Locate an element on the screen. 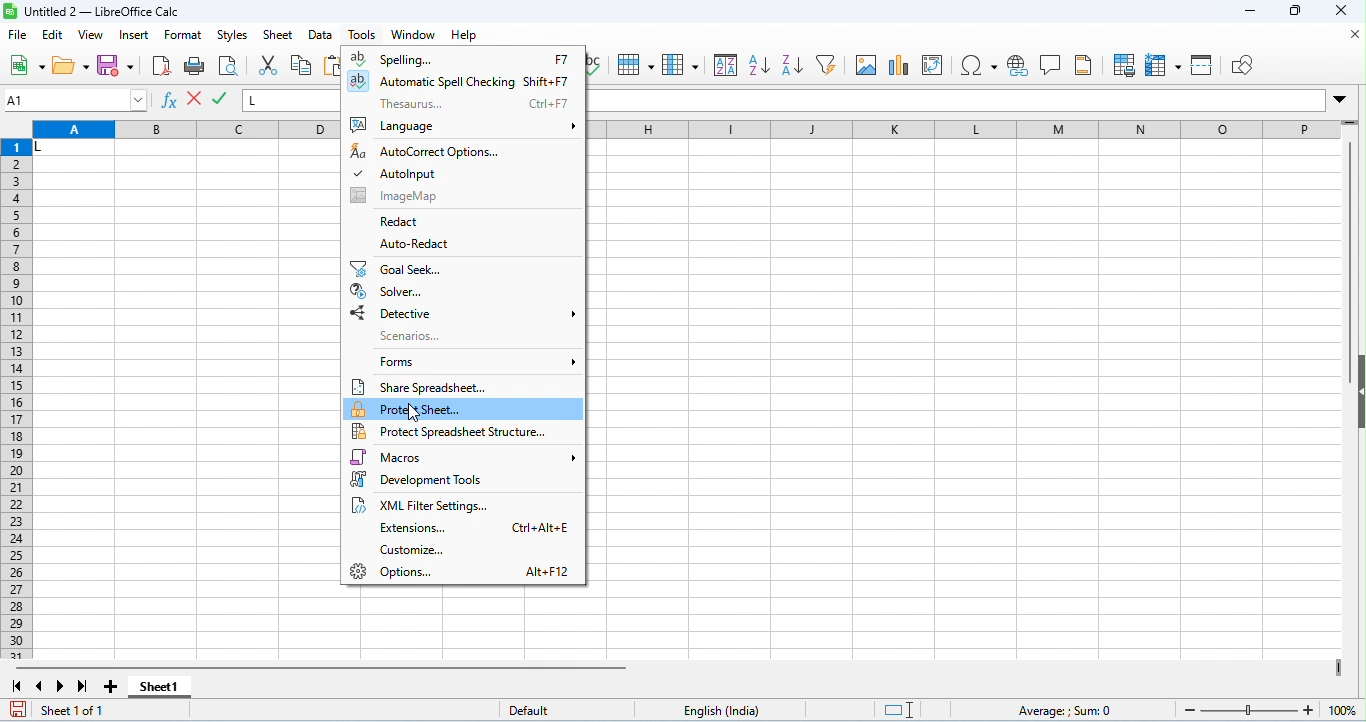 The width and height of the screenshot is (1366, 722). paste is located at coordinates (330, 66).